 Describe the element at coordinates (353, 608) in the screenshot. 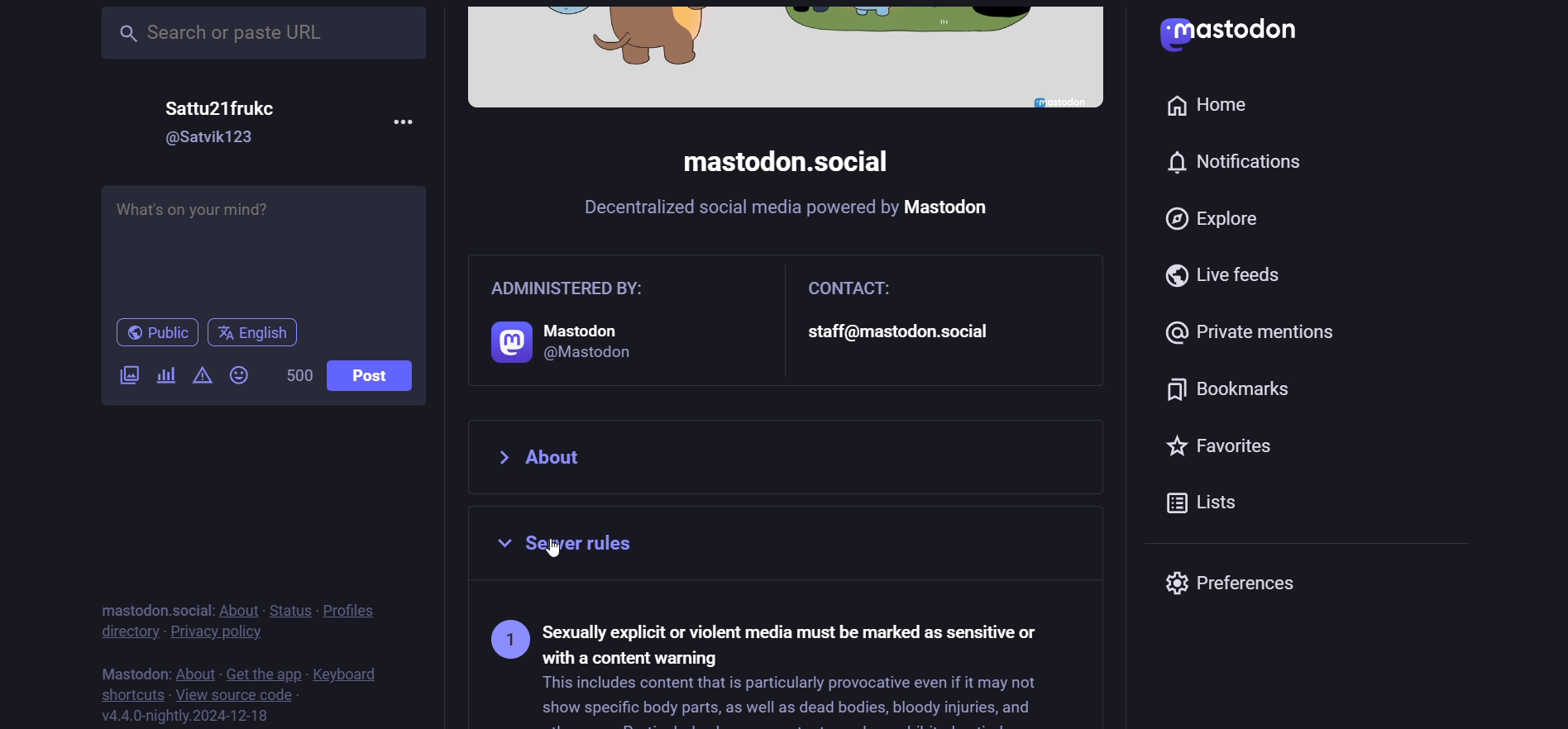

I see `profiles` at that location.